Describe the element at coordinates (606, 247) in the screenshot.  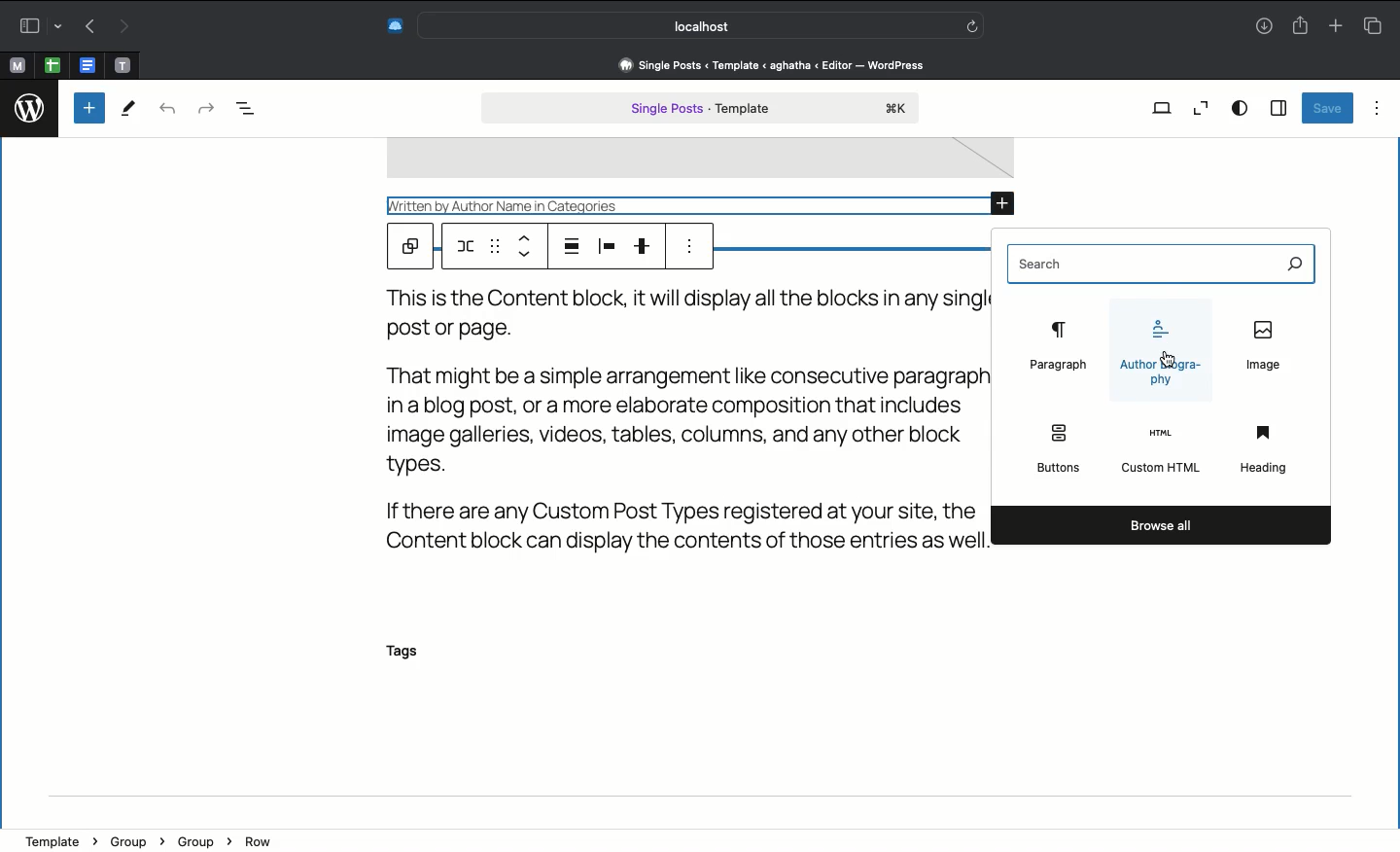
I see `Item justification` at that location.